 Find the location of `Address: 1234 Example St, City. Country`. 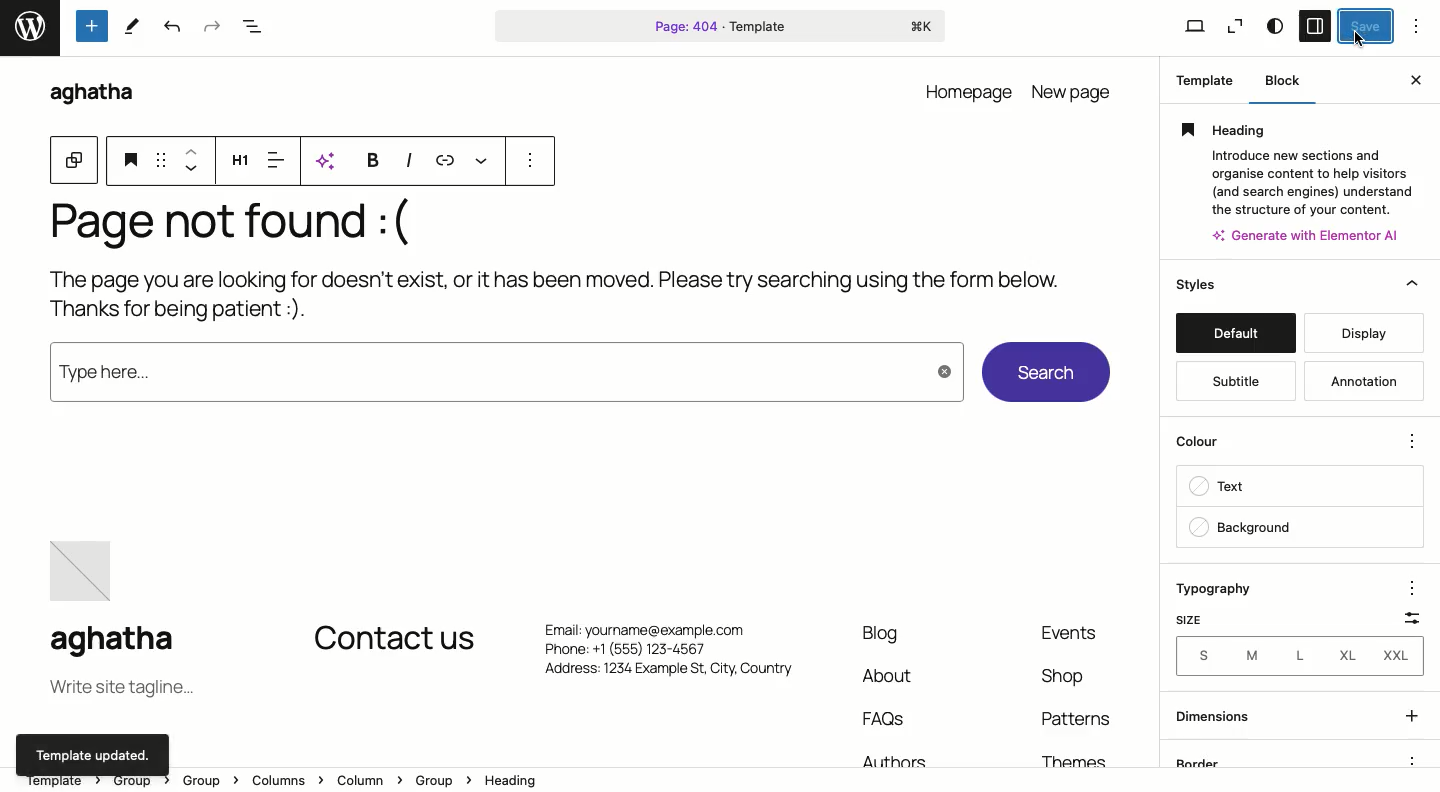

Address: 1234 Example St, City. Country is located at coordinates (667, 674).